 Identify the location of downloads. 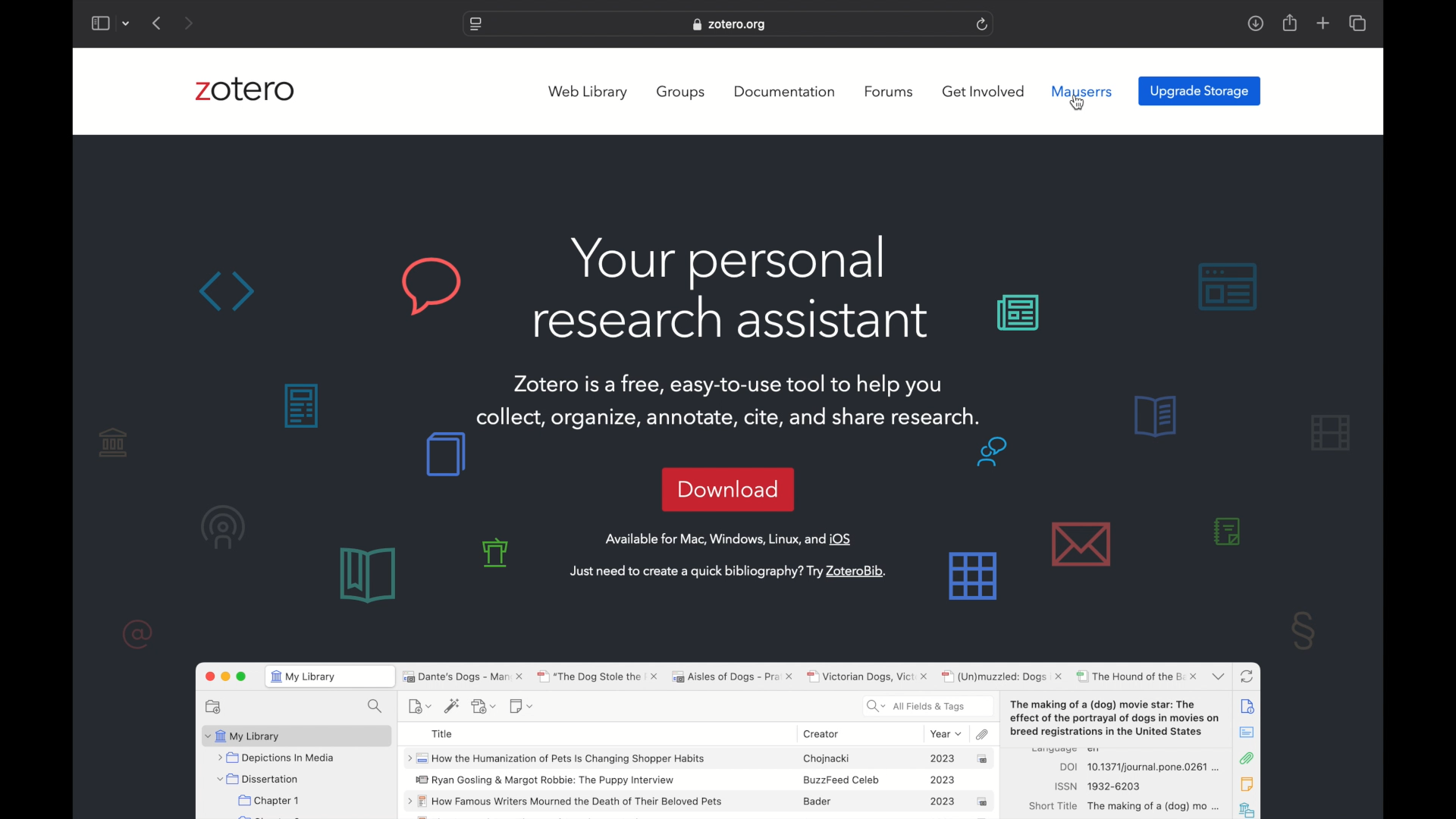
(1255, 24).